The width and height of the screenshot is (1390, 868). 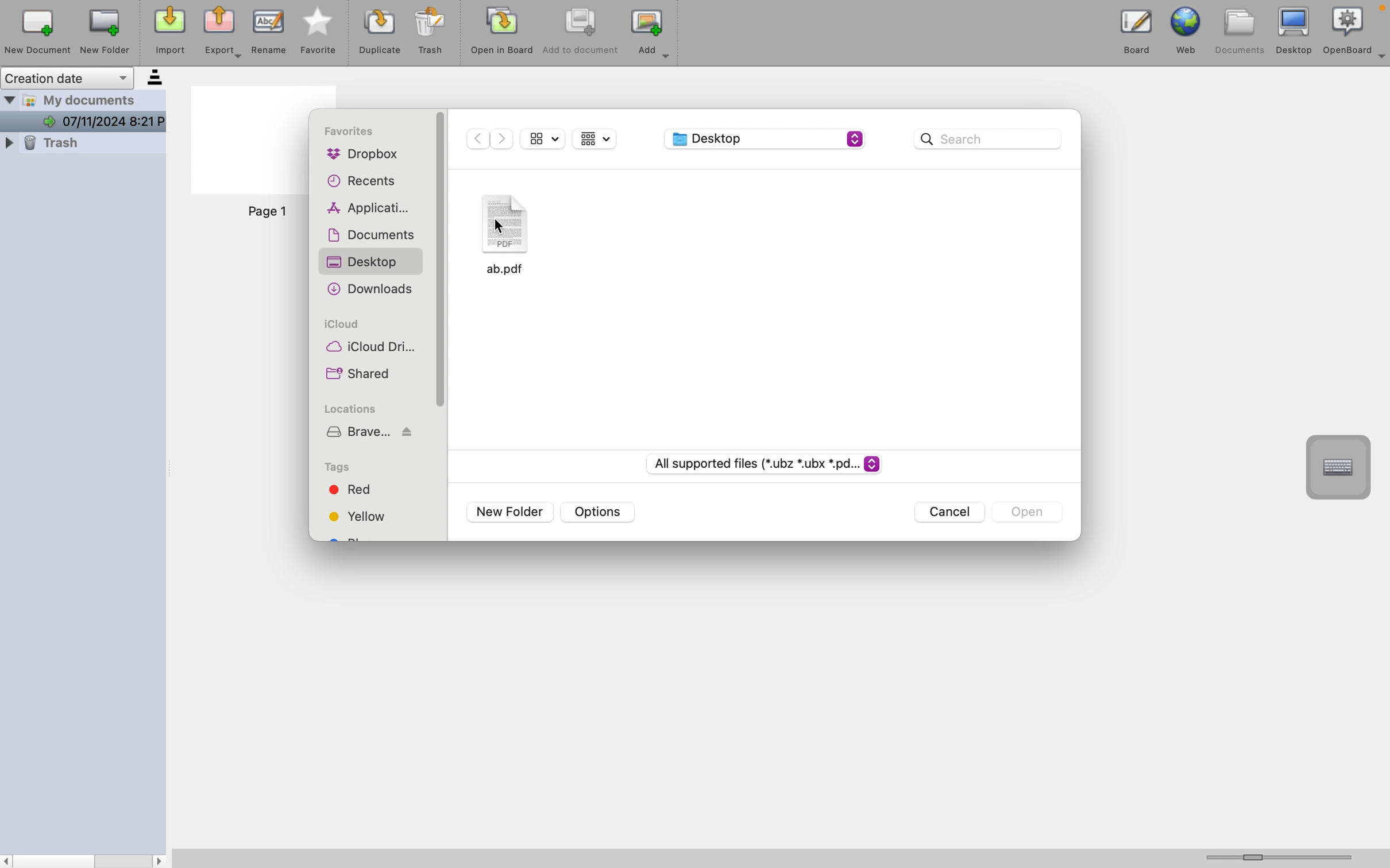 What do you see at coordinates (347, 324) in the screenshot?
I see `icloud` at bounding box center [347, 324].